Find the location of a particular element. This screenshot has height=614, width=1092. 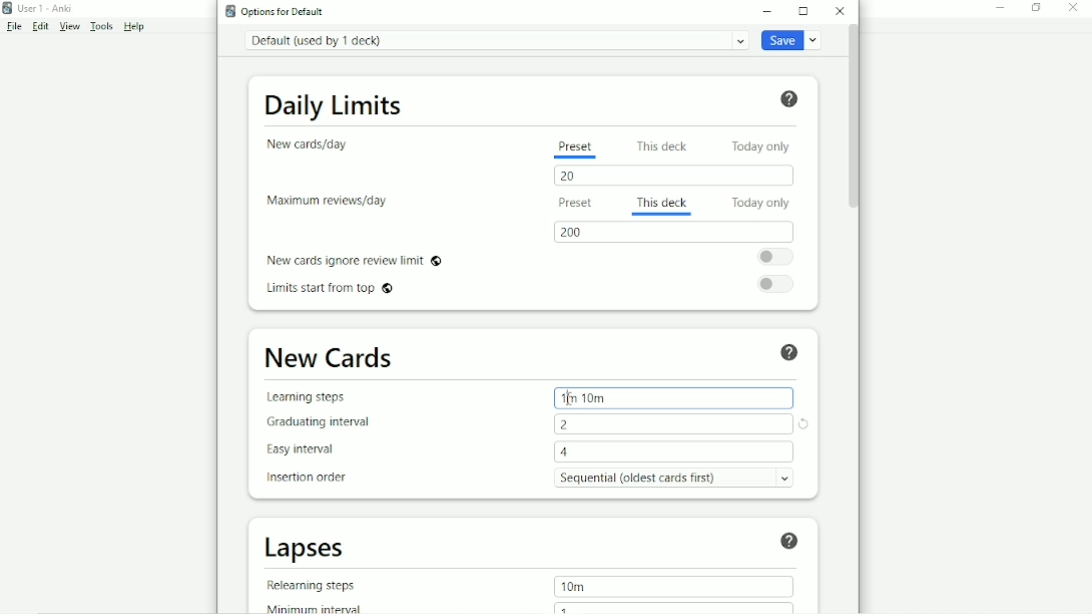

Default (used by 1 deck) is located at coordinates (493, 42).